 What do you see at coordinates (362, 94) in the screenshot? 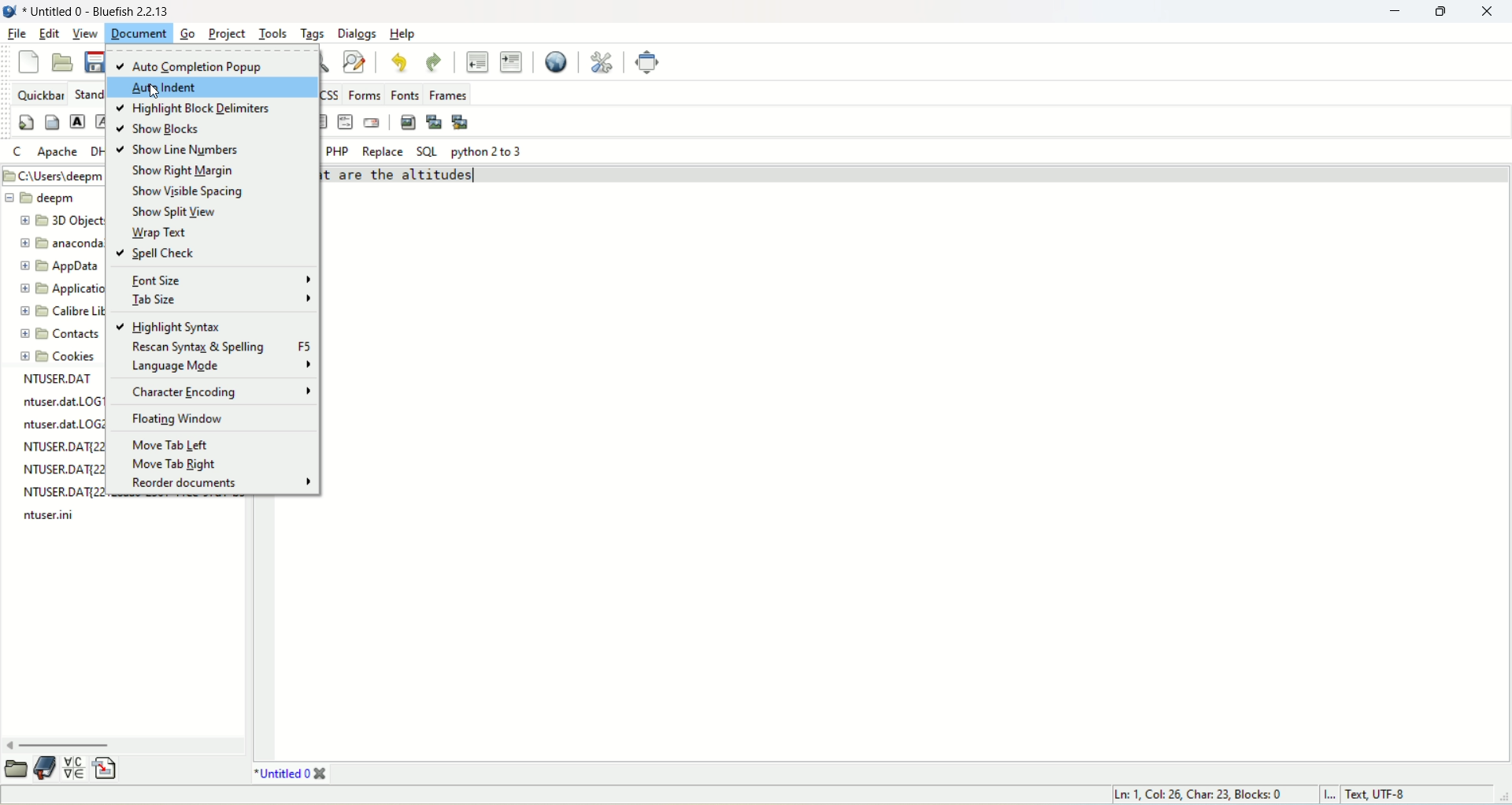
I see `forms` at bounding box center [362, 94].